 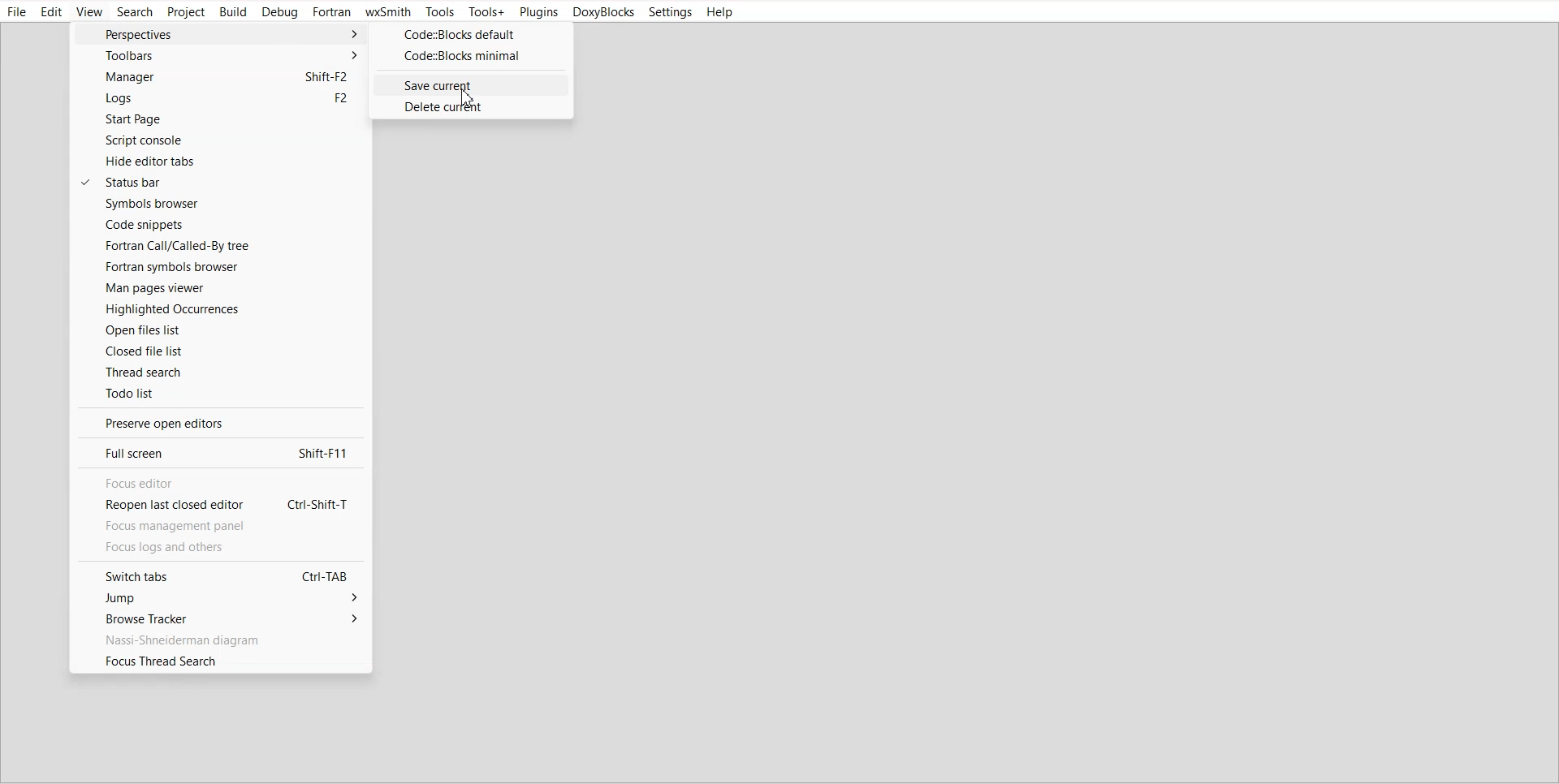 What do you see at coordinates (219, 267) in the screenshot?
I see `Fortran symbols browser` at bounding box center [219, 267].